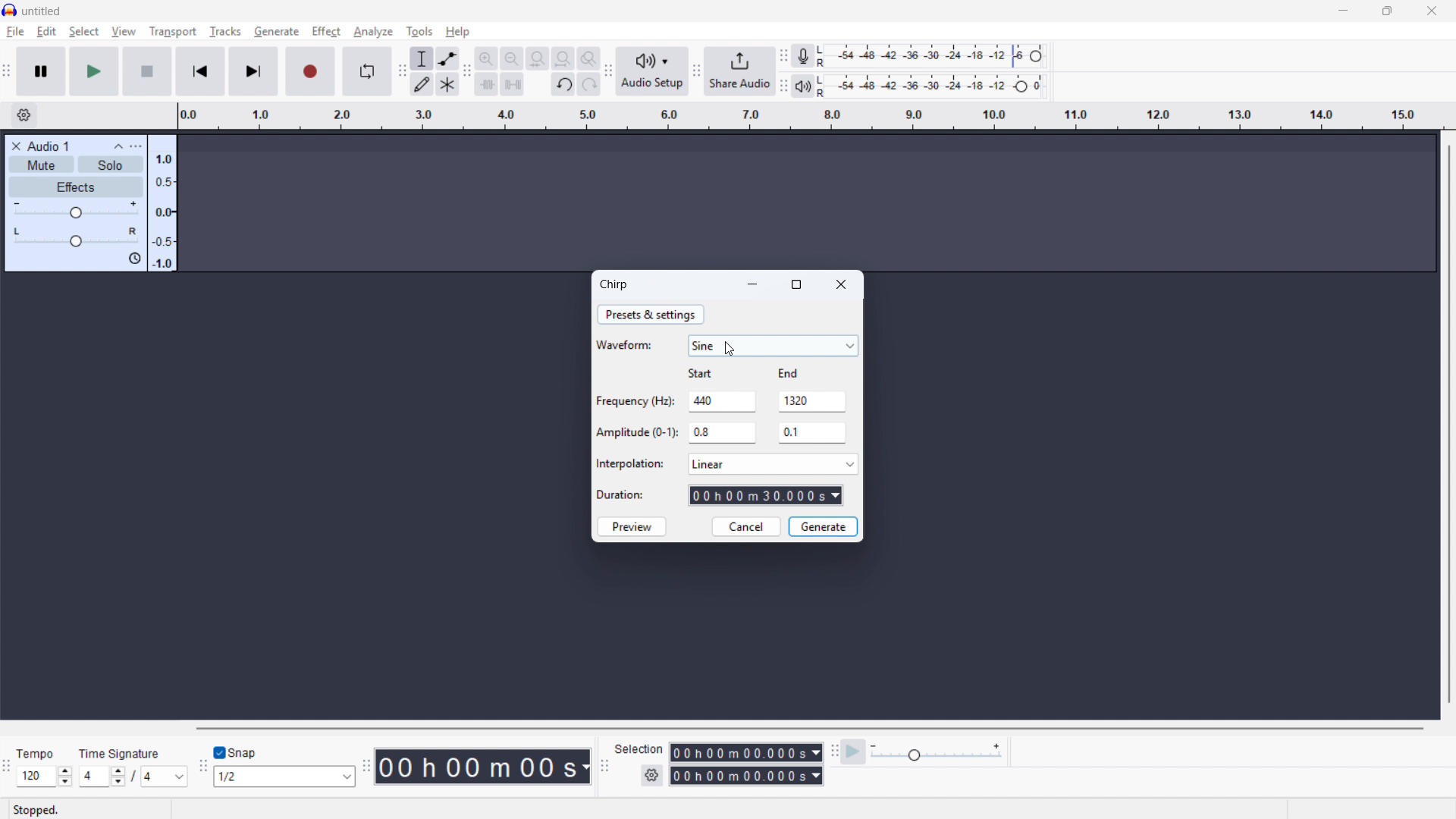  Describe the element at coordinates (811, 401) in the screenshot. I see `Ending frequency ` at that location.